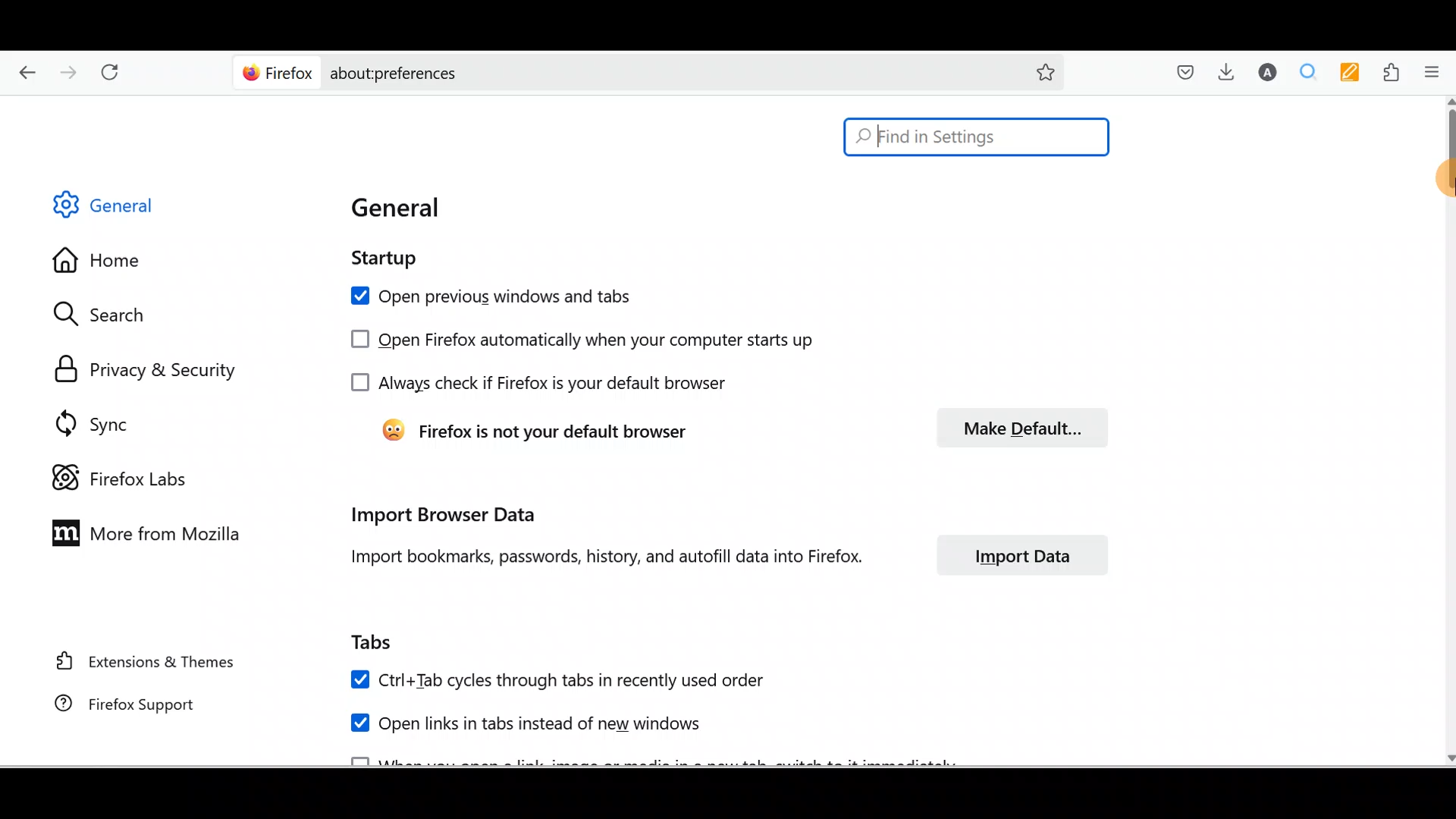 Image resolution: width=1456 pixels, height=819 pixels. I want to click on Mouse down - scroll bar, so click(1447, 158).